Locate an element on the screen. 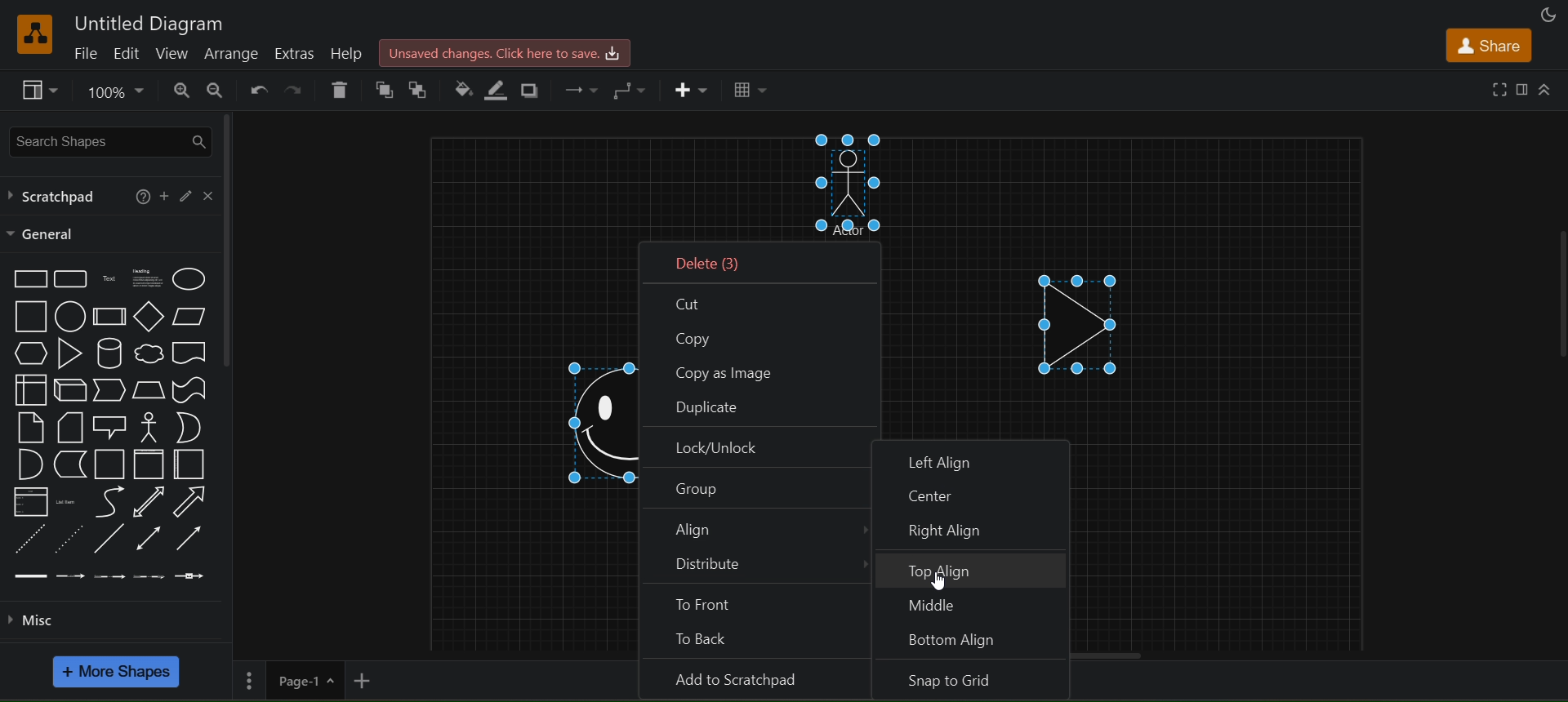  view is located at coordinates (38, 88).